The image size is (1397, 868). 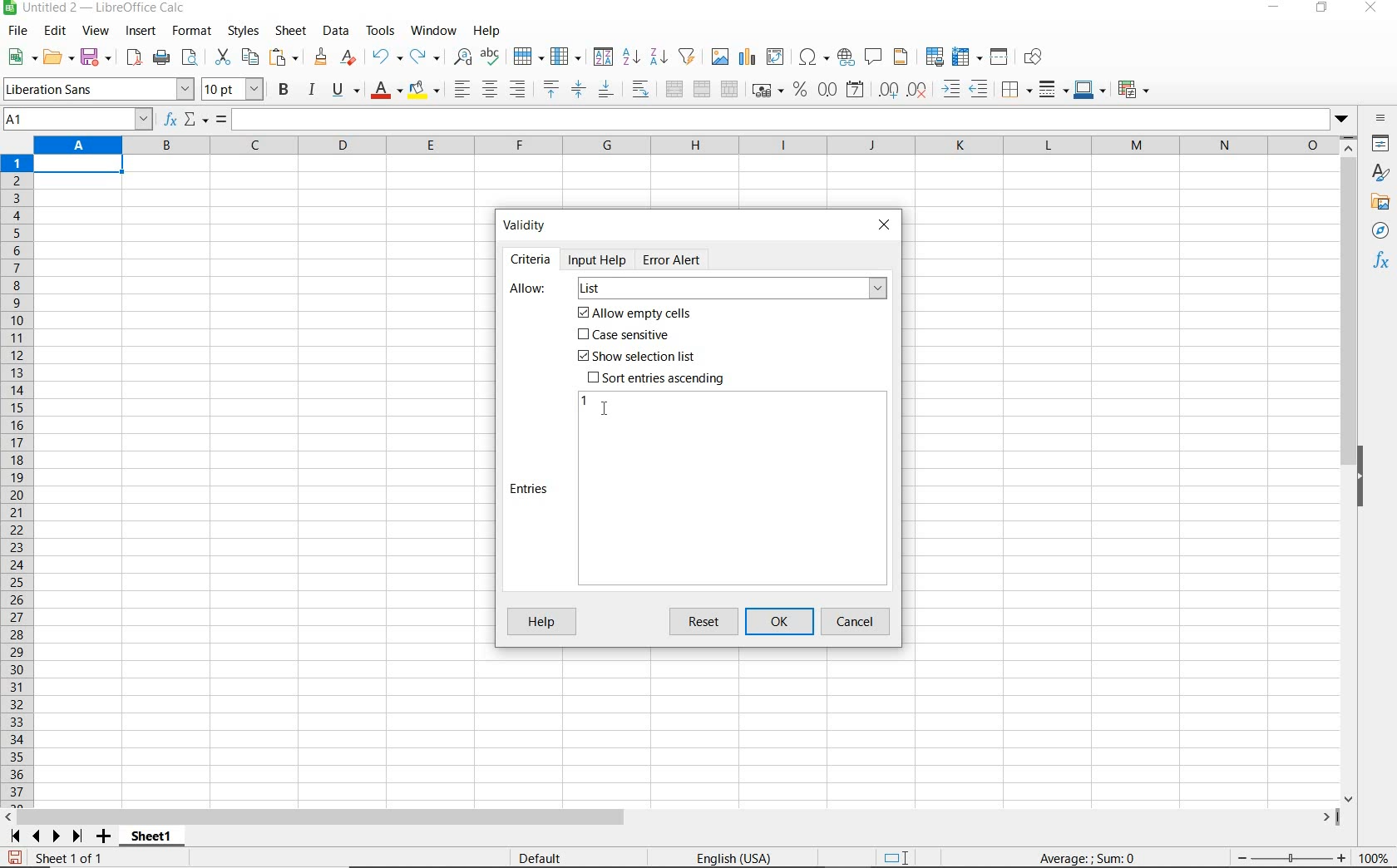 I want to click on Entries, so click(x=531, y=489).